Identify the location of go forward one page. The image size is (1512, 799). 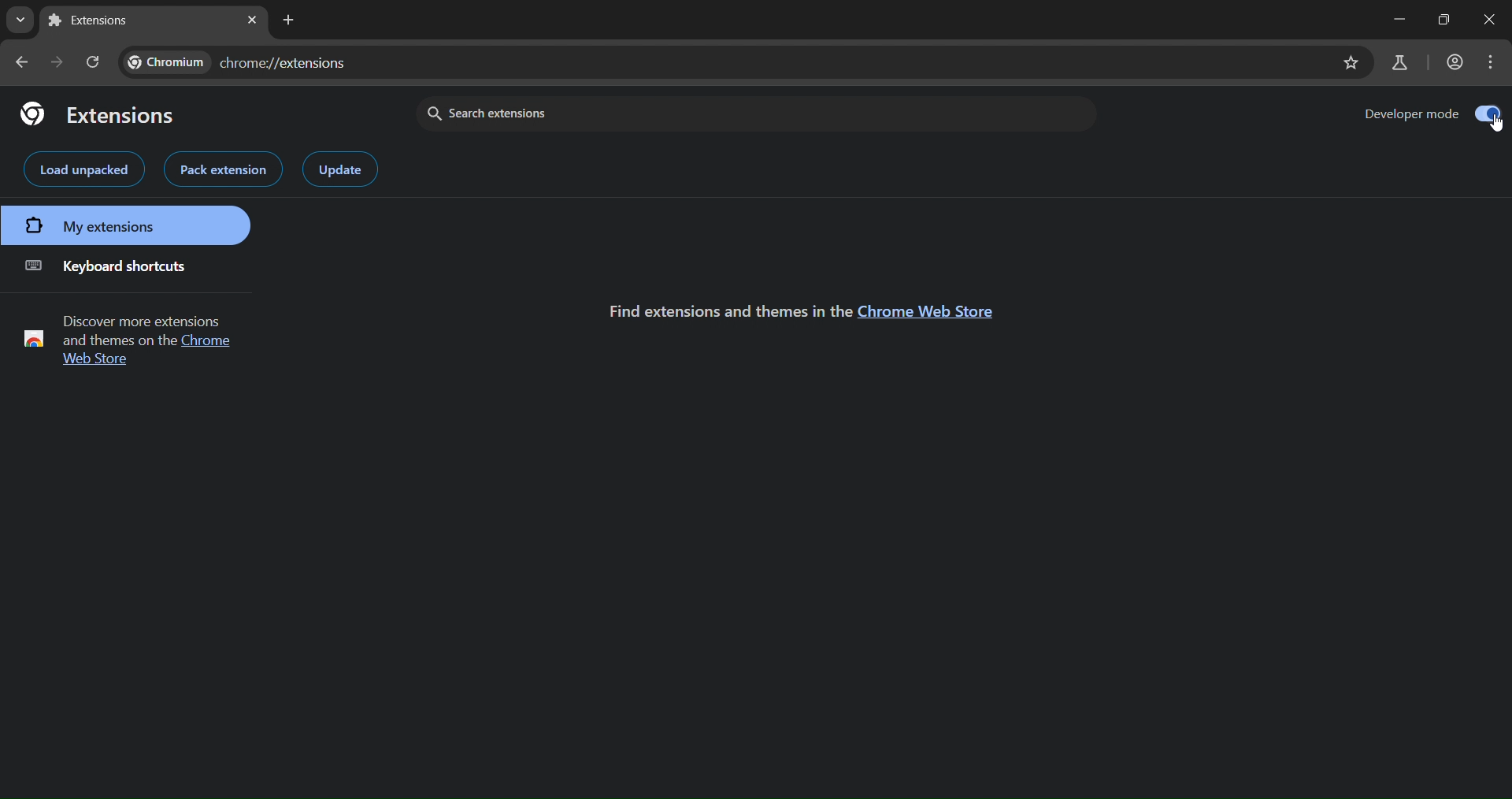
(58, 61).